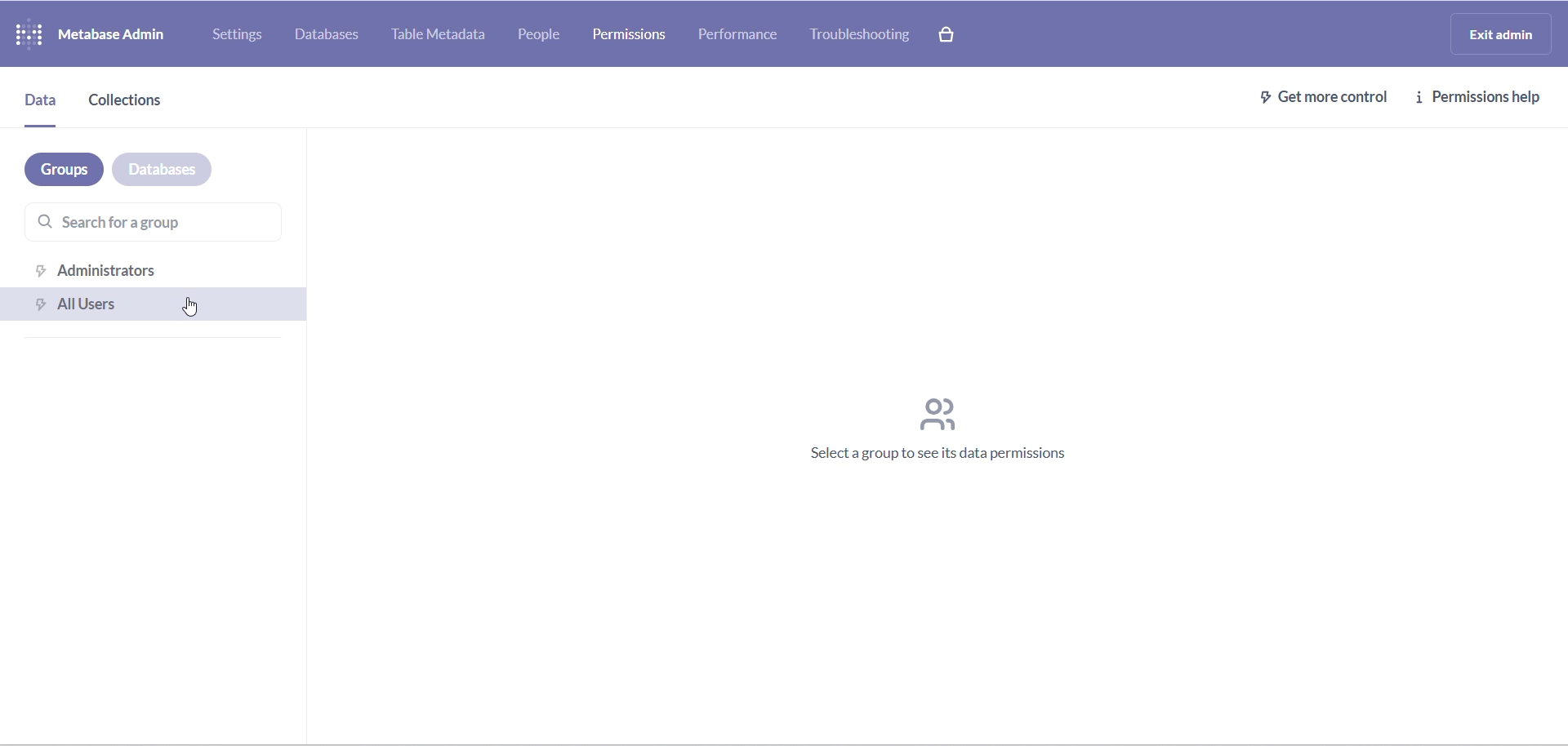 This screenshot has height=746, width=1568. Describe the element at coordinates (868, 37) in the screenshot. I see `troubleshooting` at that location.